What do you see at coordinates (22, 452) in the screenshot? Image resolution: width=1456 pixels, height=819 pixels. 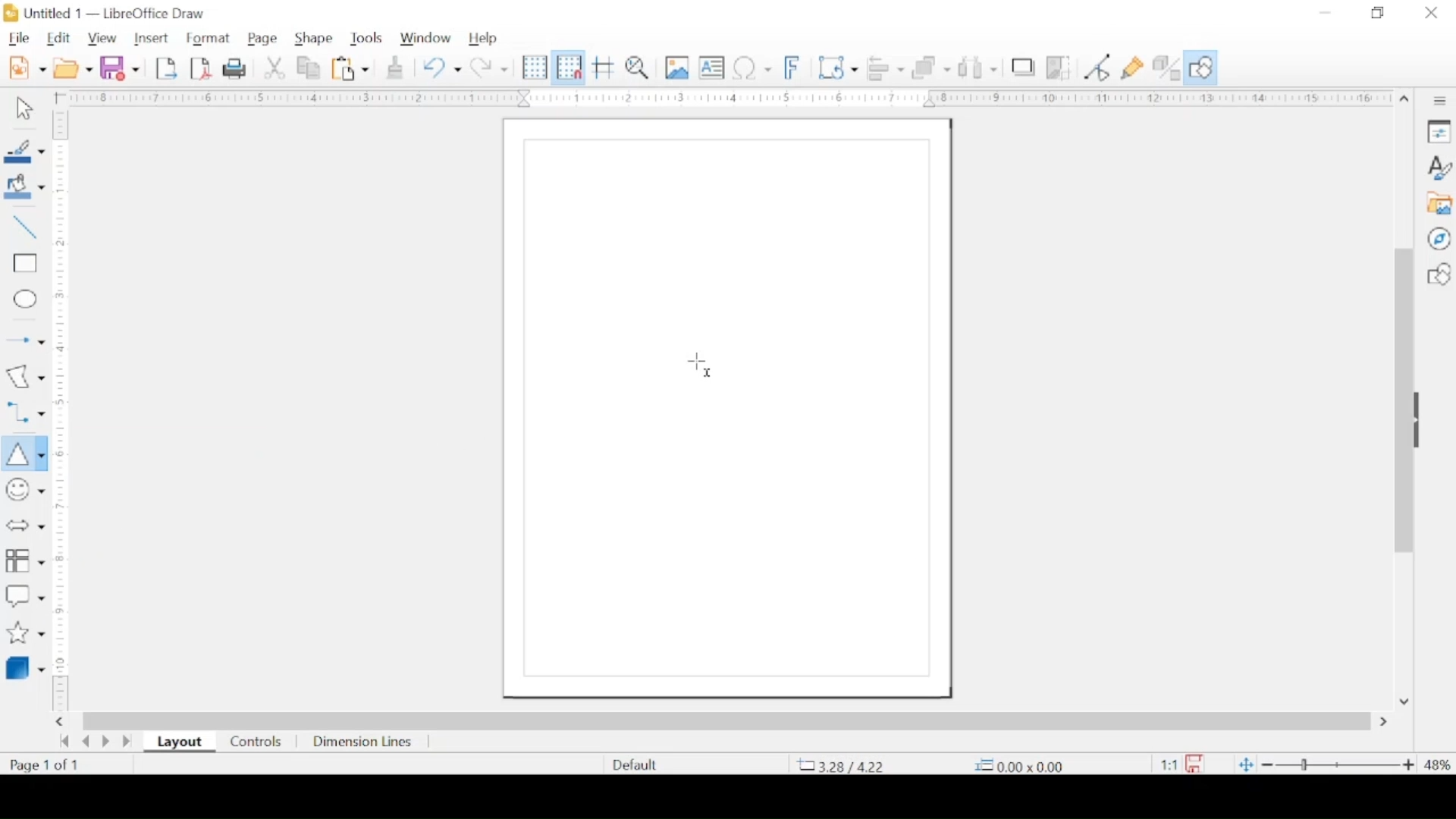 I see `insert triangle` at bounding box center [22, 452].